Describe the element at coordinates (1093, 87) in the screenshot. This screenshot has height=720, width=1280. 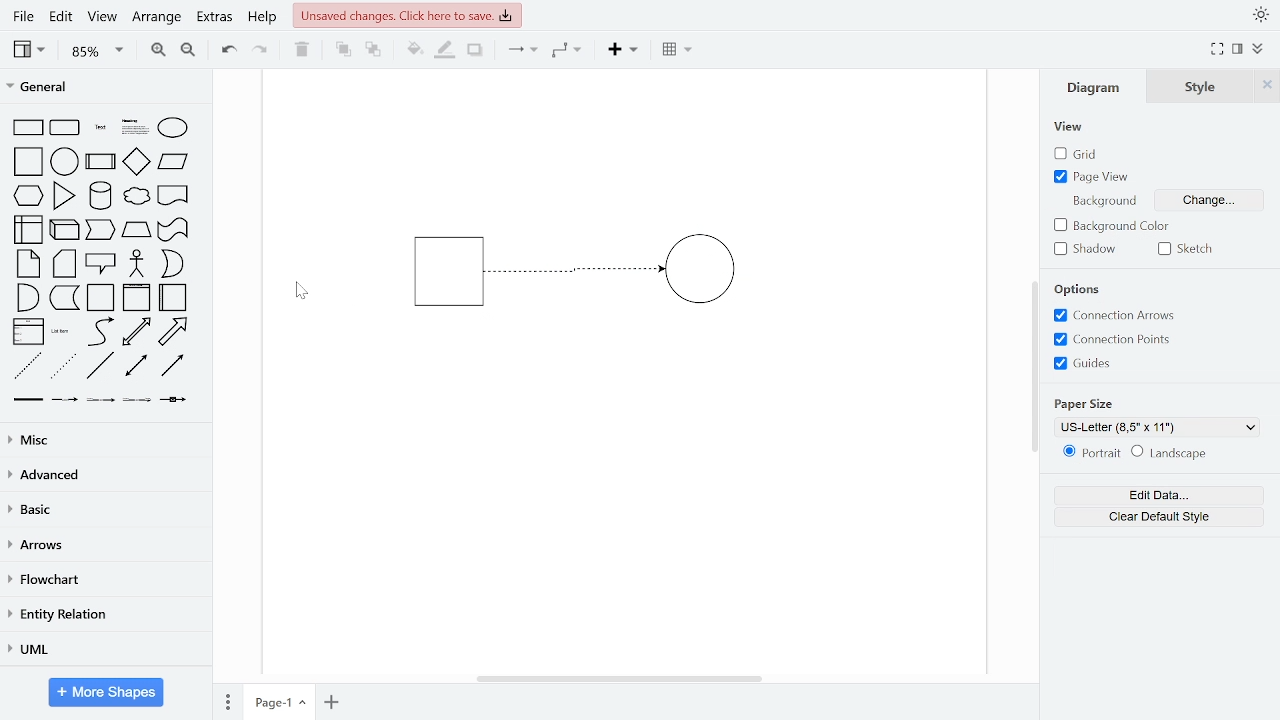
I see `diagram` at that location.